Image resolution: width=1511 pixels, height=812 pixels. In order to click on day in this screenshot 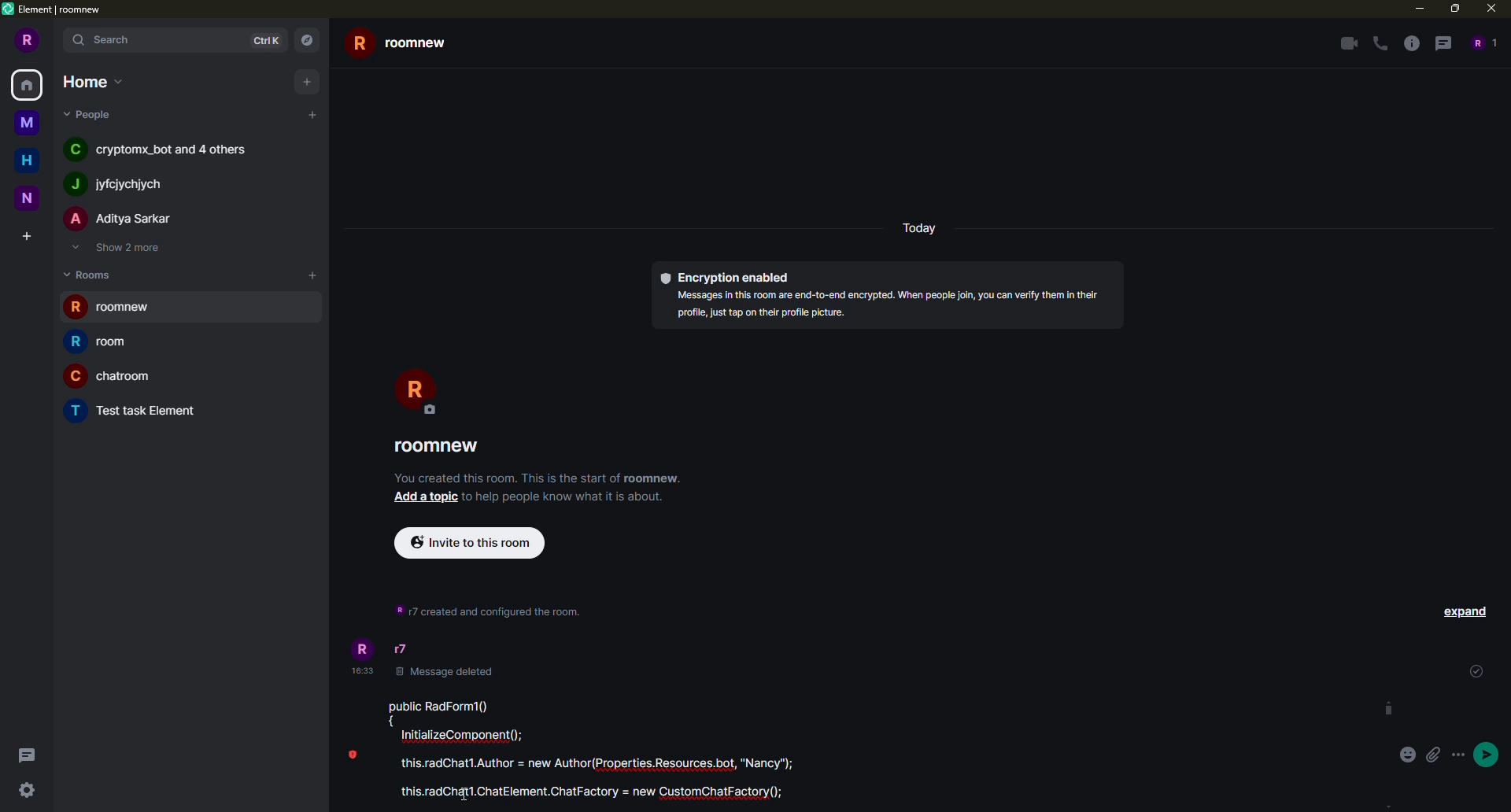, I will do `click(918, 224)`.